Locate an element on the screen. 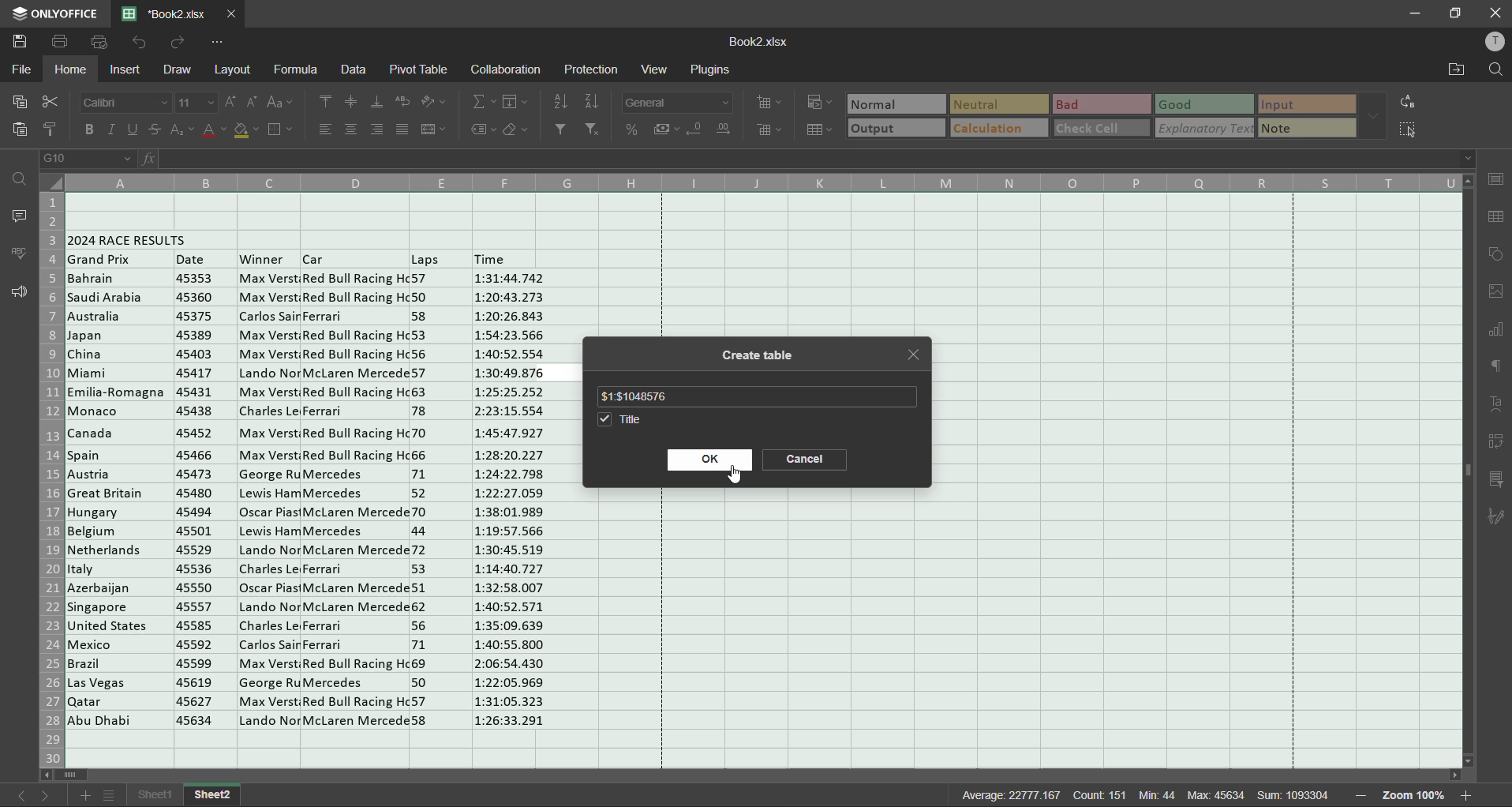  insert is located at coordinates (129, 70).